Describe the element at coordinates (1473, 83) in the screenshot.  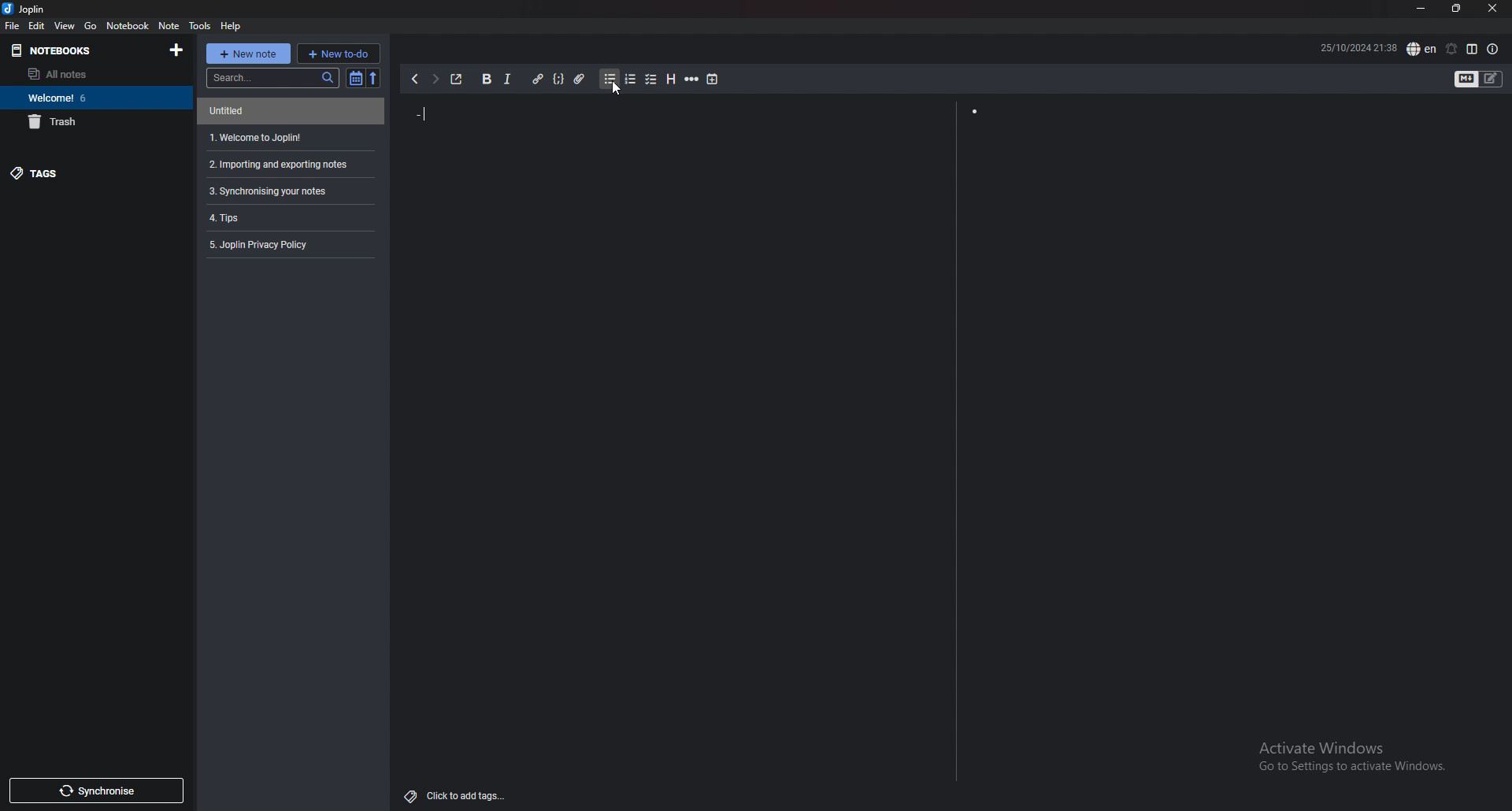
I see `toggle editors` at that location.